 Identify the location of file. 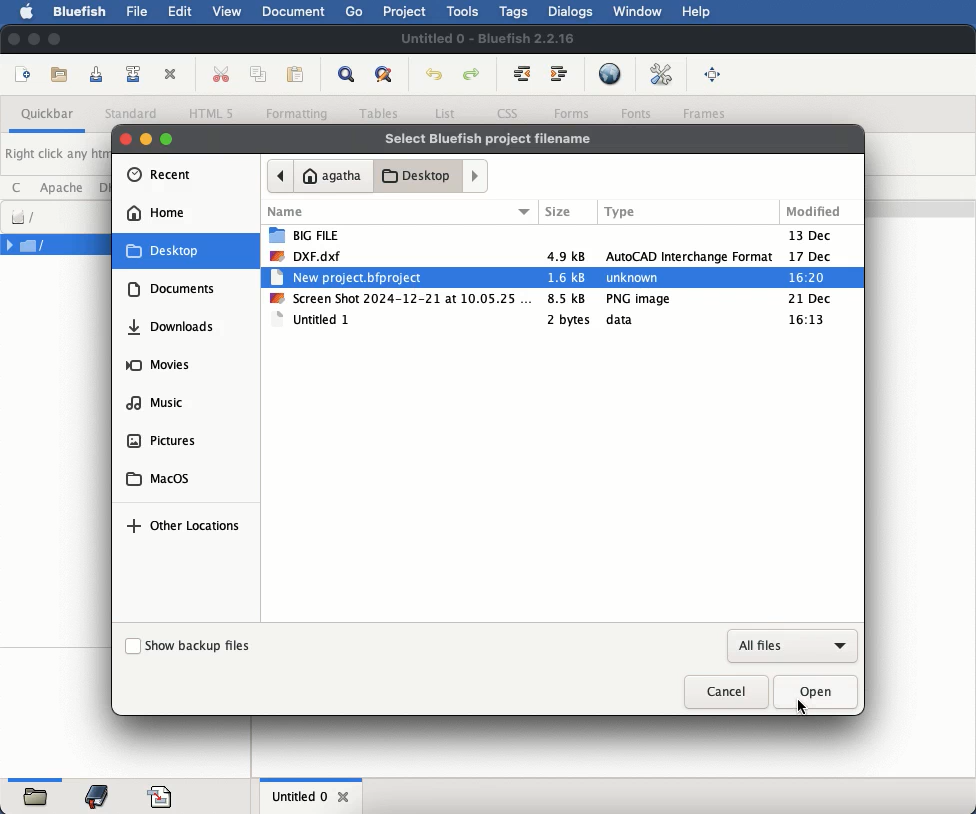
(140, 12).